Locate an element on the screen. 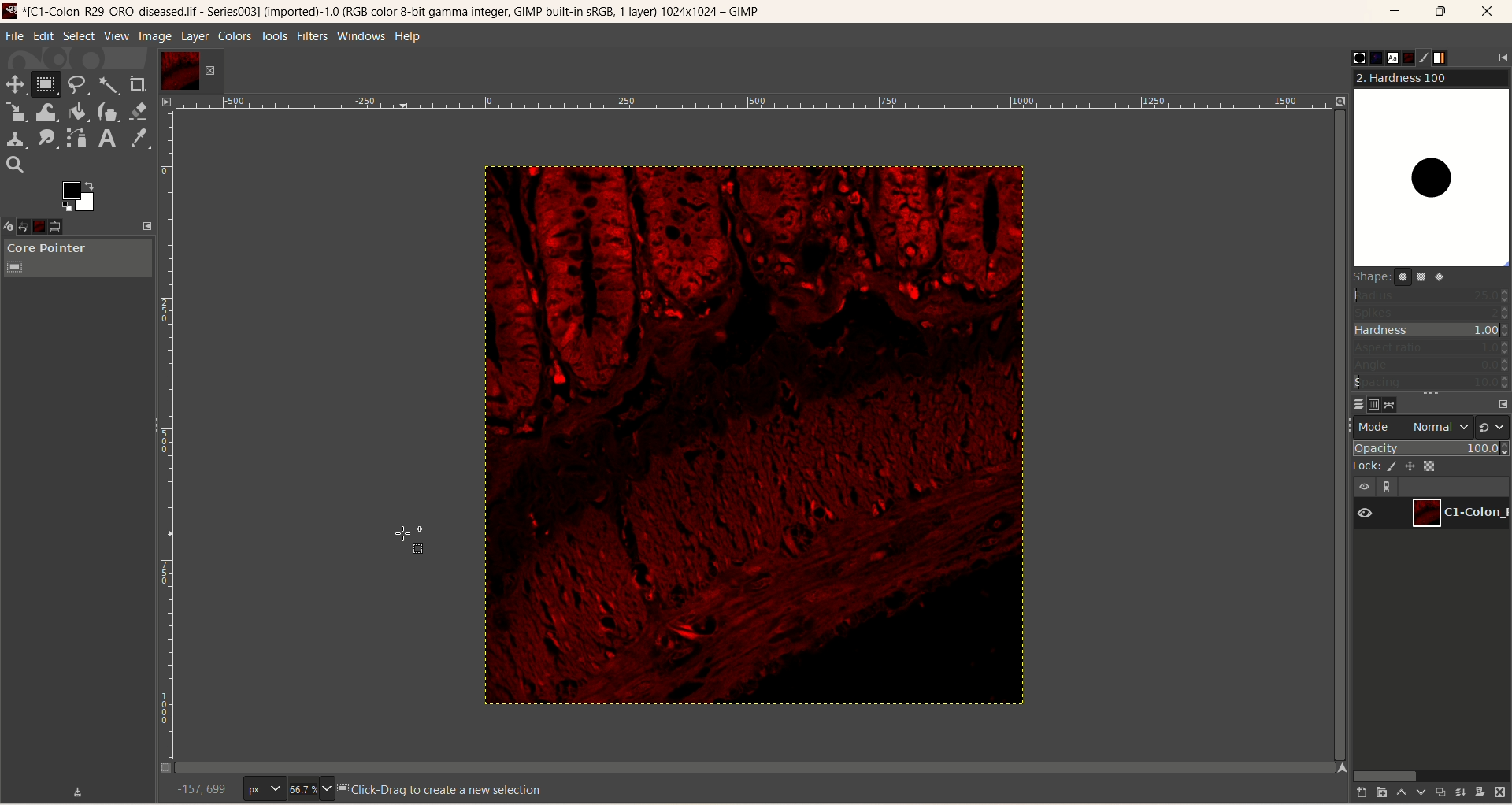 The width and height of the screenshot is (1512, 805). windows is located at coordinates (364, 35).